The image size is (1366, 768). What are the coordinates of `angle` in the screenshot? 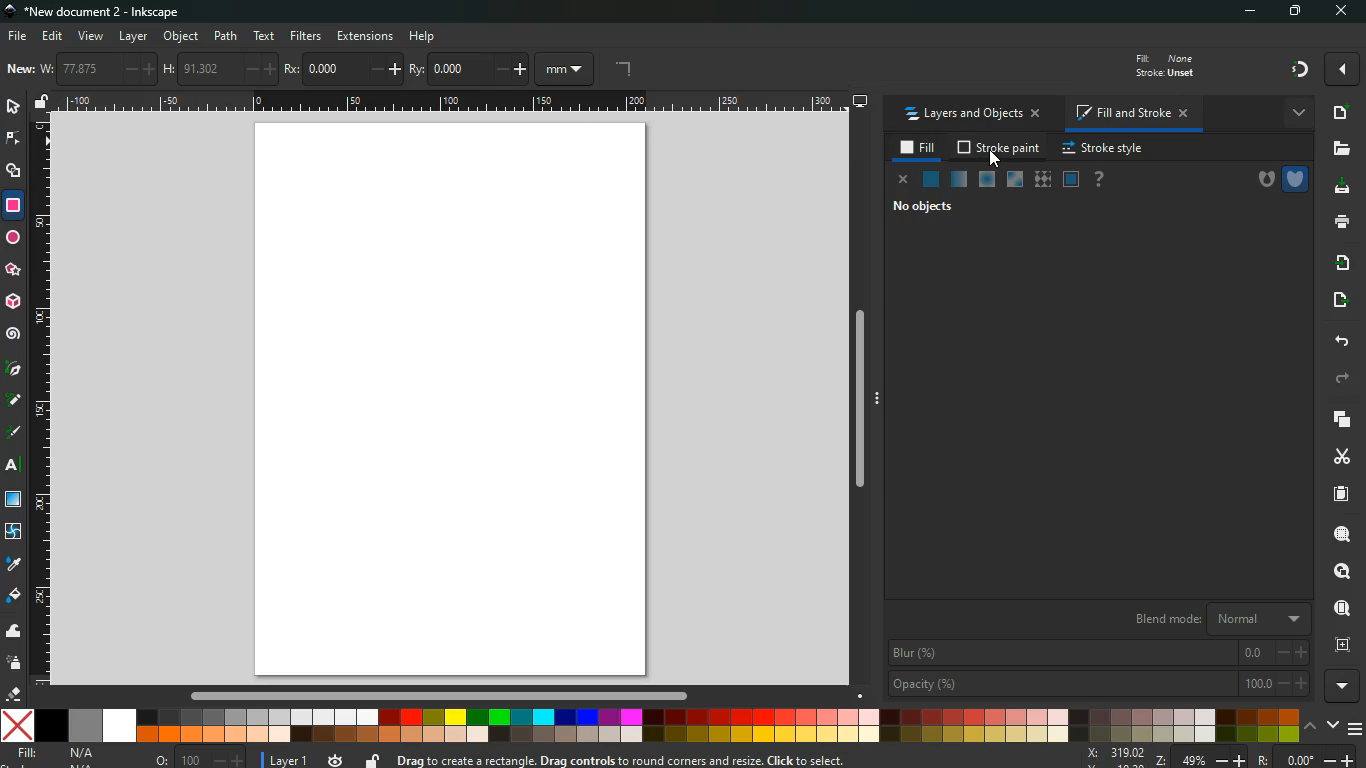 It's located at (636, 70).